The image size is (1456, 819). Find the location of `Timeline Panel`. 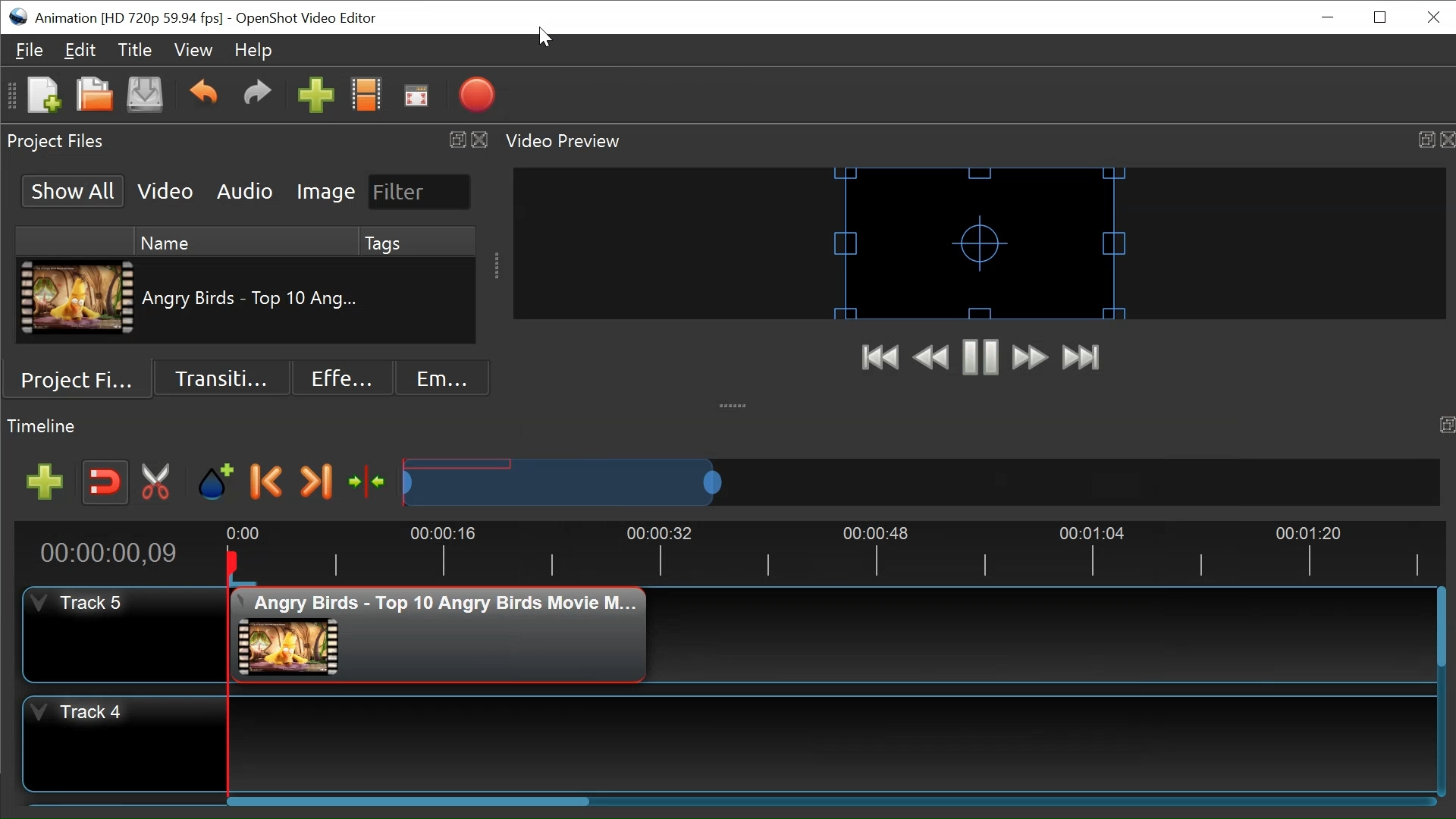

Timeline Panel is located at coordinates (728, 427).